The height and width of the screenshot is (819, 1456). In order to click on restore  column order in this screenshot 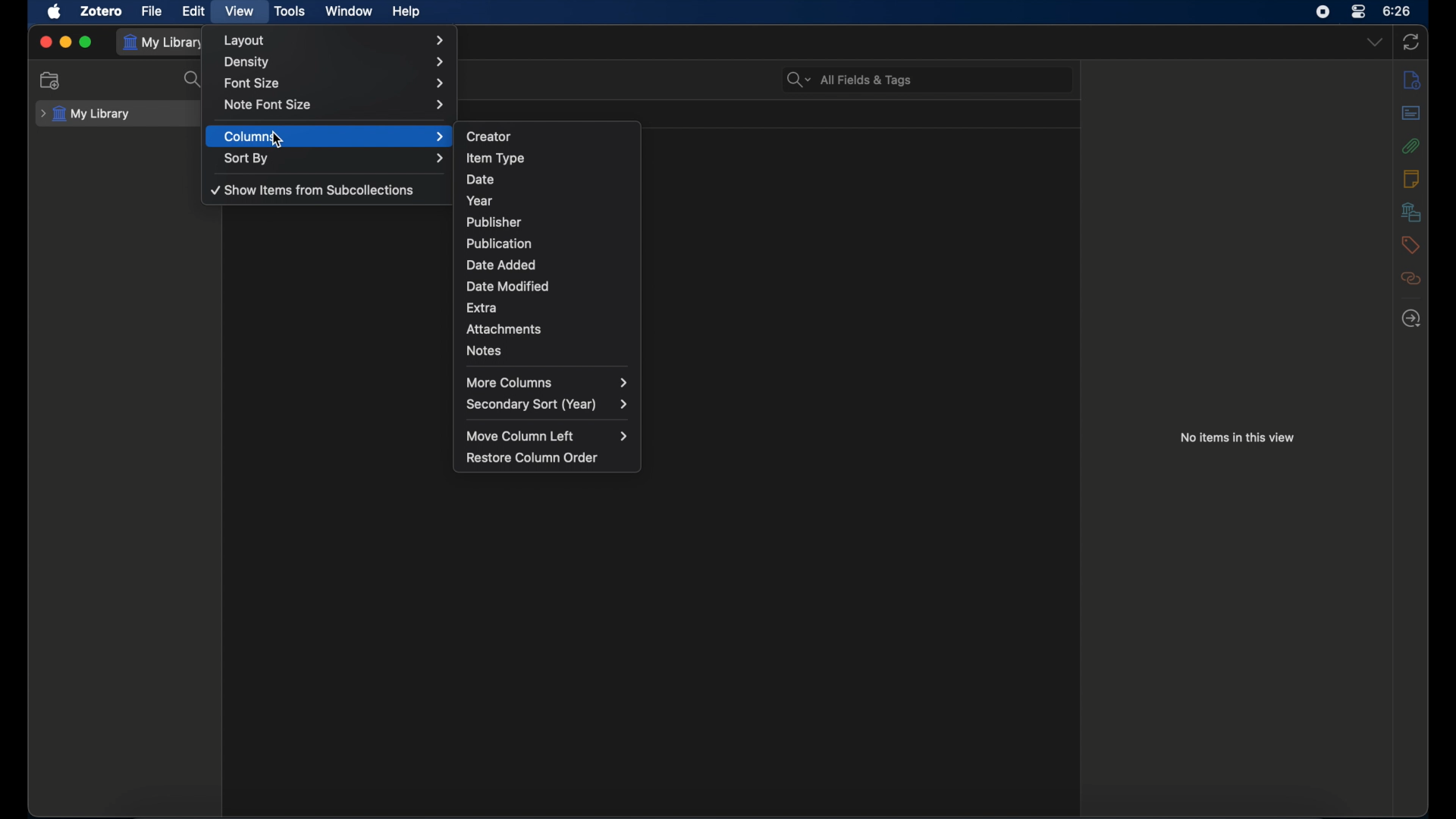, I will do `click(535, 457)`.